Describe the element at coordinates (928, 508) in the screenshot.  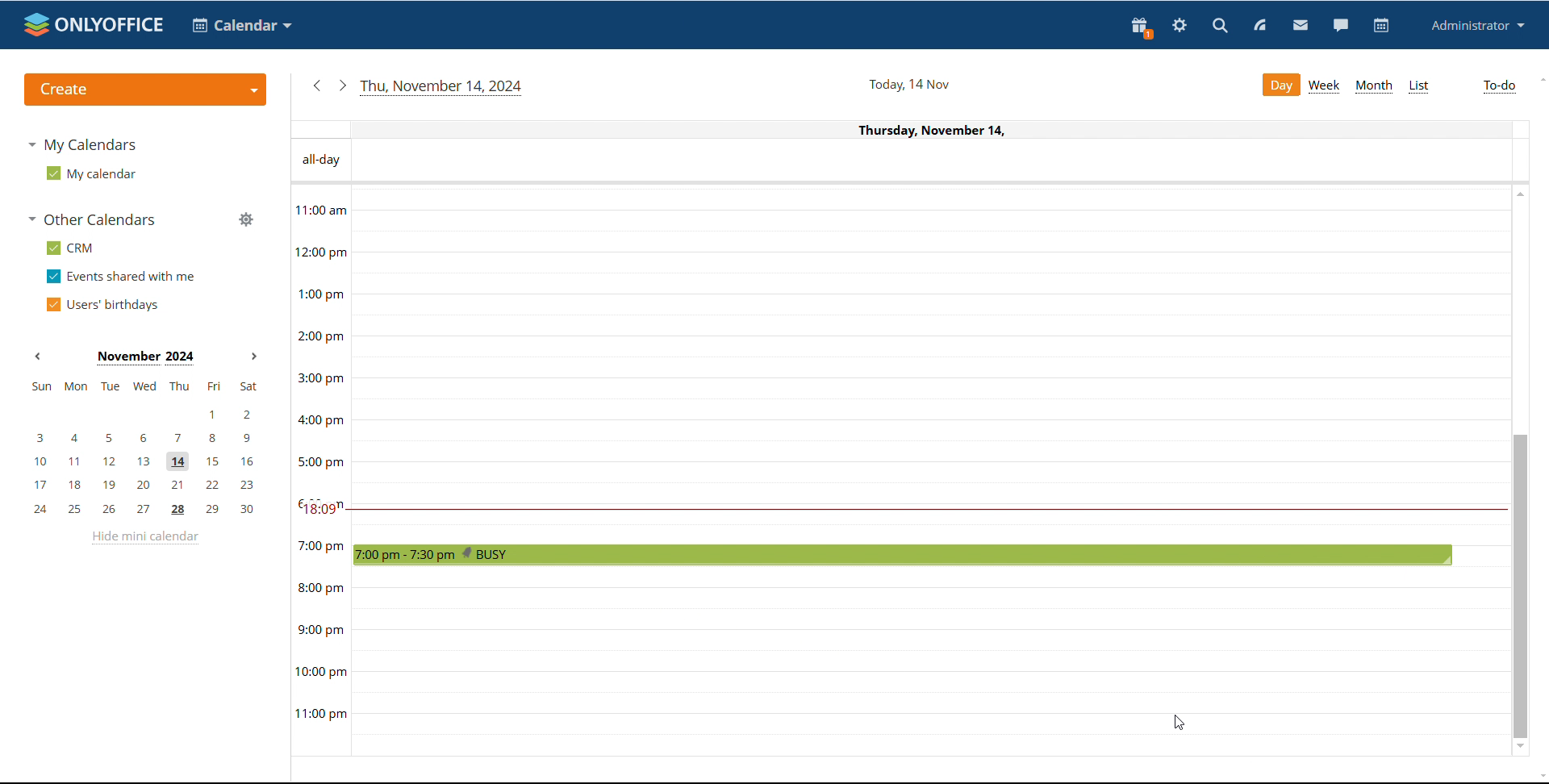
I see `current time` at that location.